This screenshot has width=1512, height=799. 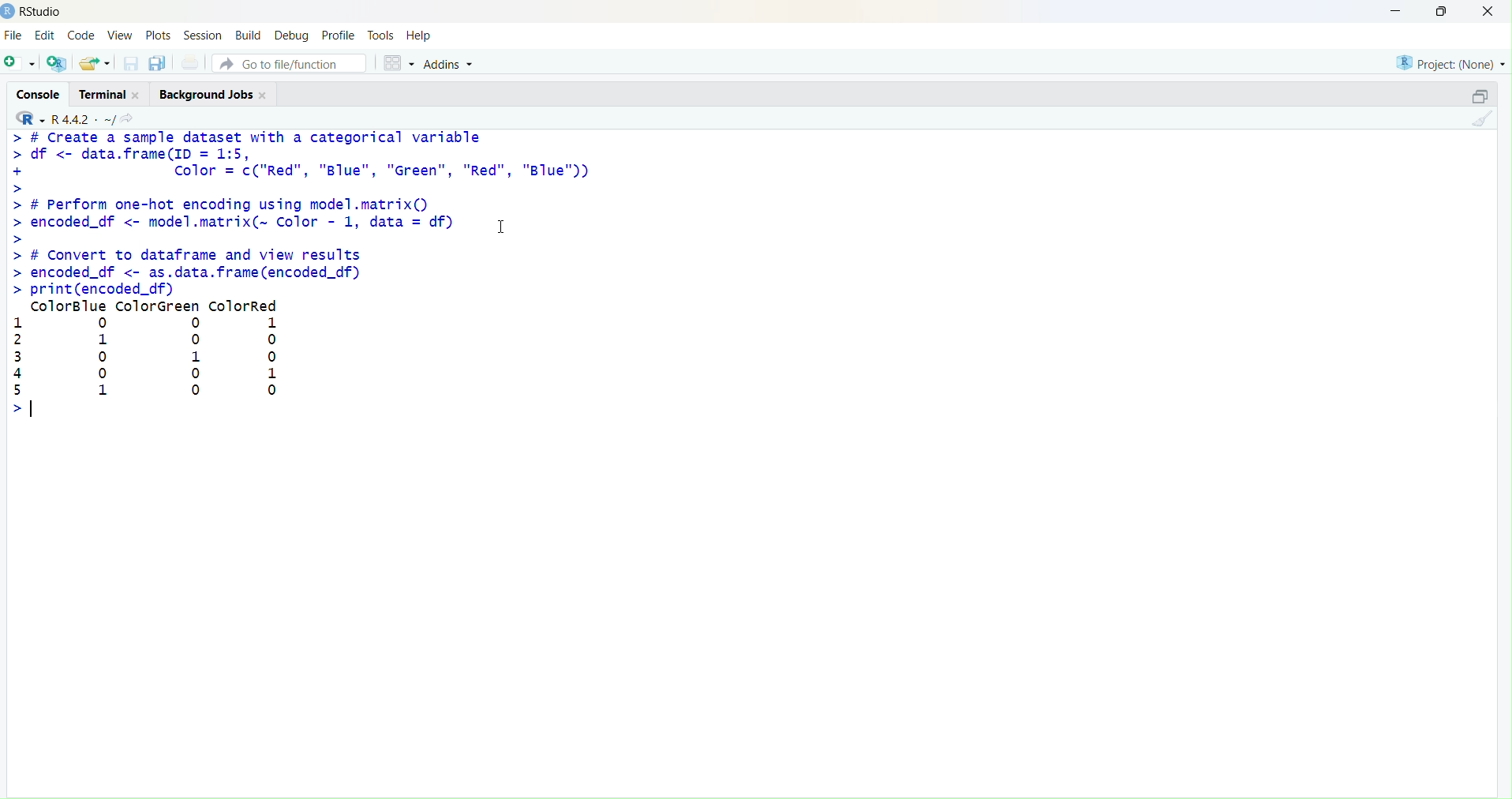 I want to click on minimise, so click(x=1396, y=11).